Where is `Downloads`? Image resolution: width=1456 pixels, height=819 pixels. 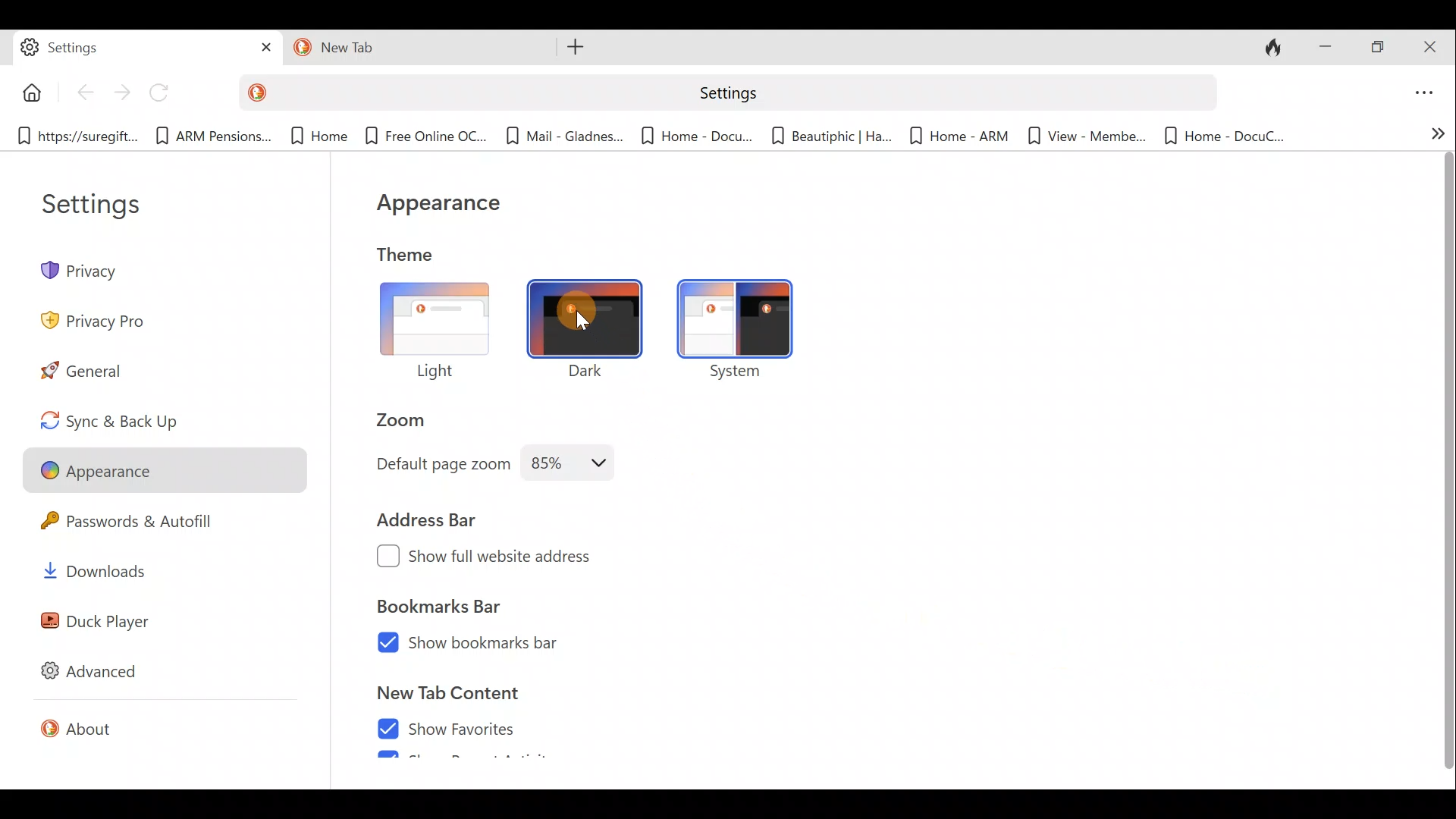 Downloads is located at coordinates (93, 570).